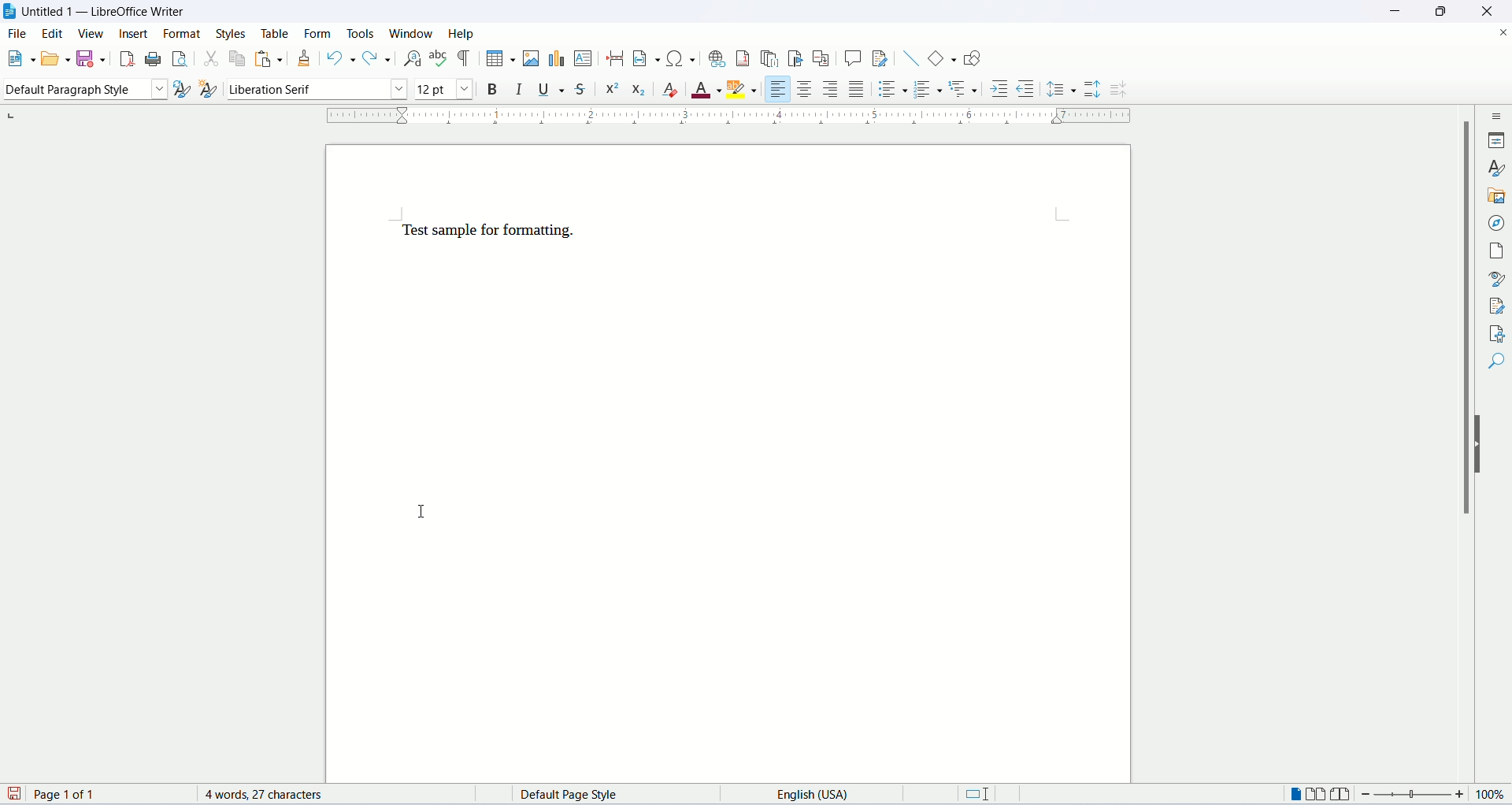 The width and height of the screenshot is (1512, 805). I want to click on properties, so click(1499, 139).